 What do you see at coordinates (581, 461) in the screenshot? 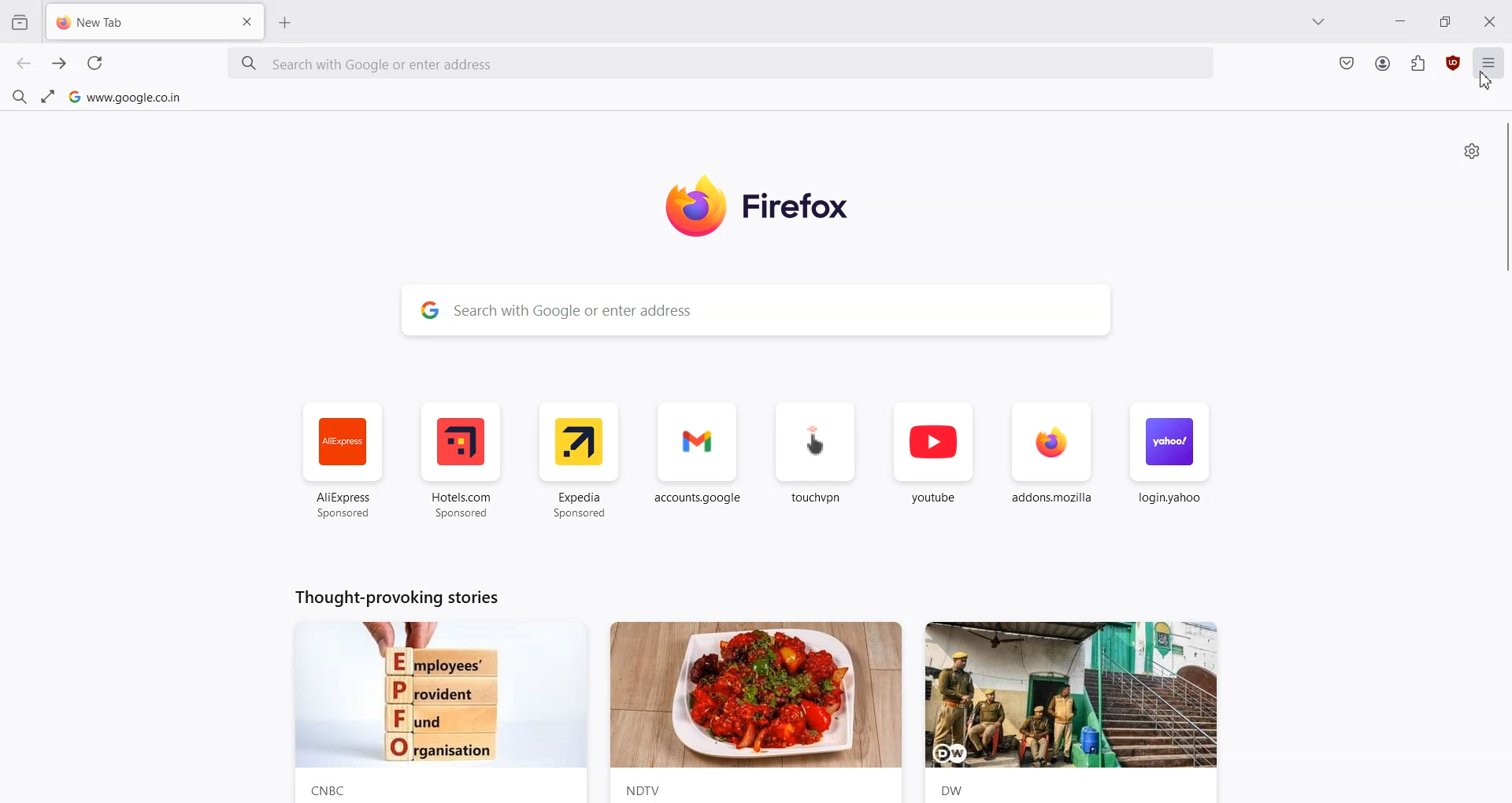
I see `Expedia Sponsored` at bounding box center [581, 461].